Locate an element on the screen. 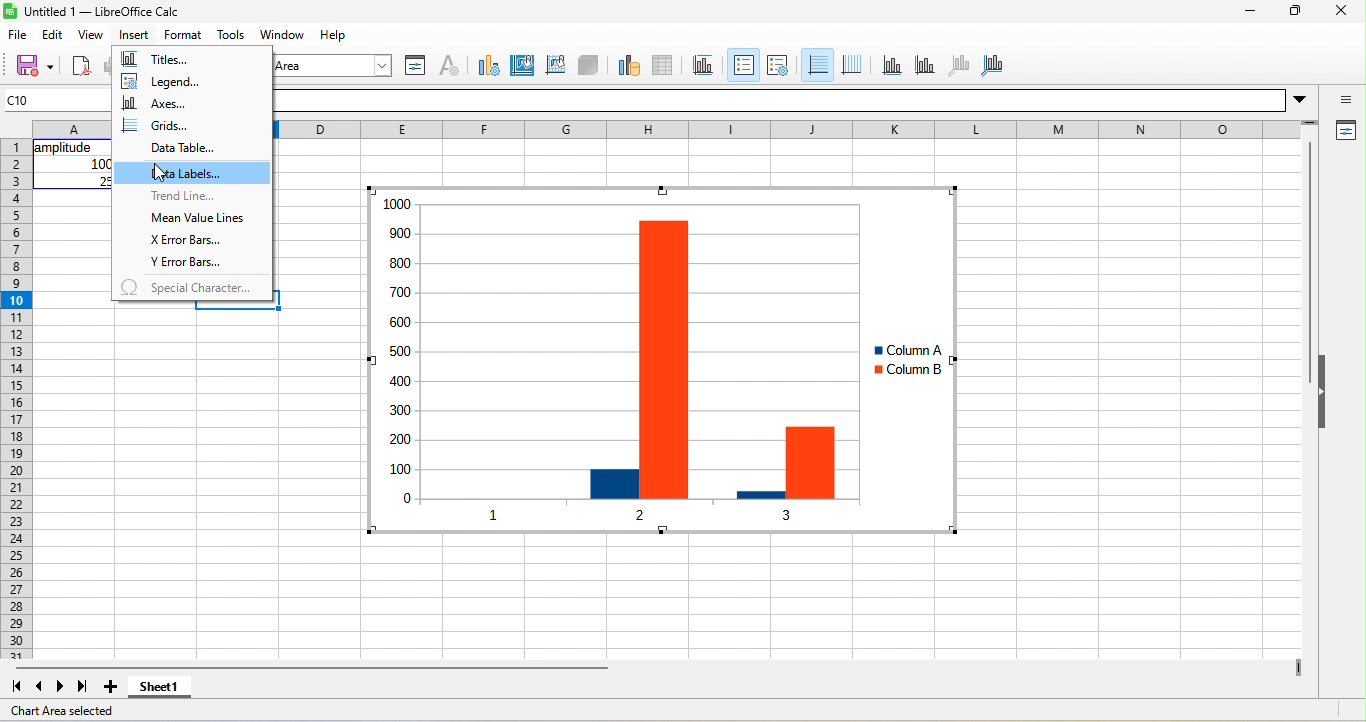 The image size is (1366, 722). view is located at coordinates (91, 37).